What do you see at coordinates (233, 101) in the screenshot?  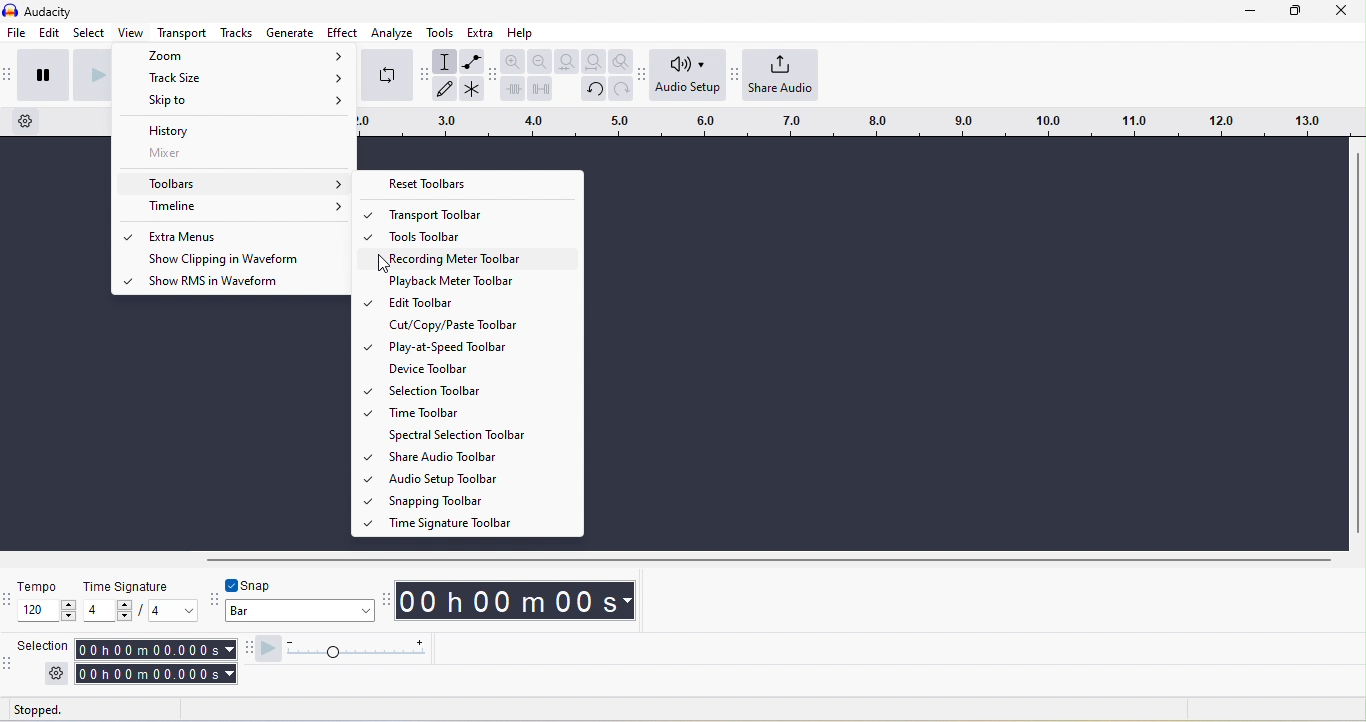 I see `Skip to` at bounding box center [233, 101].